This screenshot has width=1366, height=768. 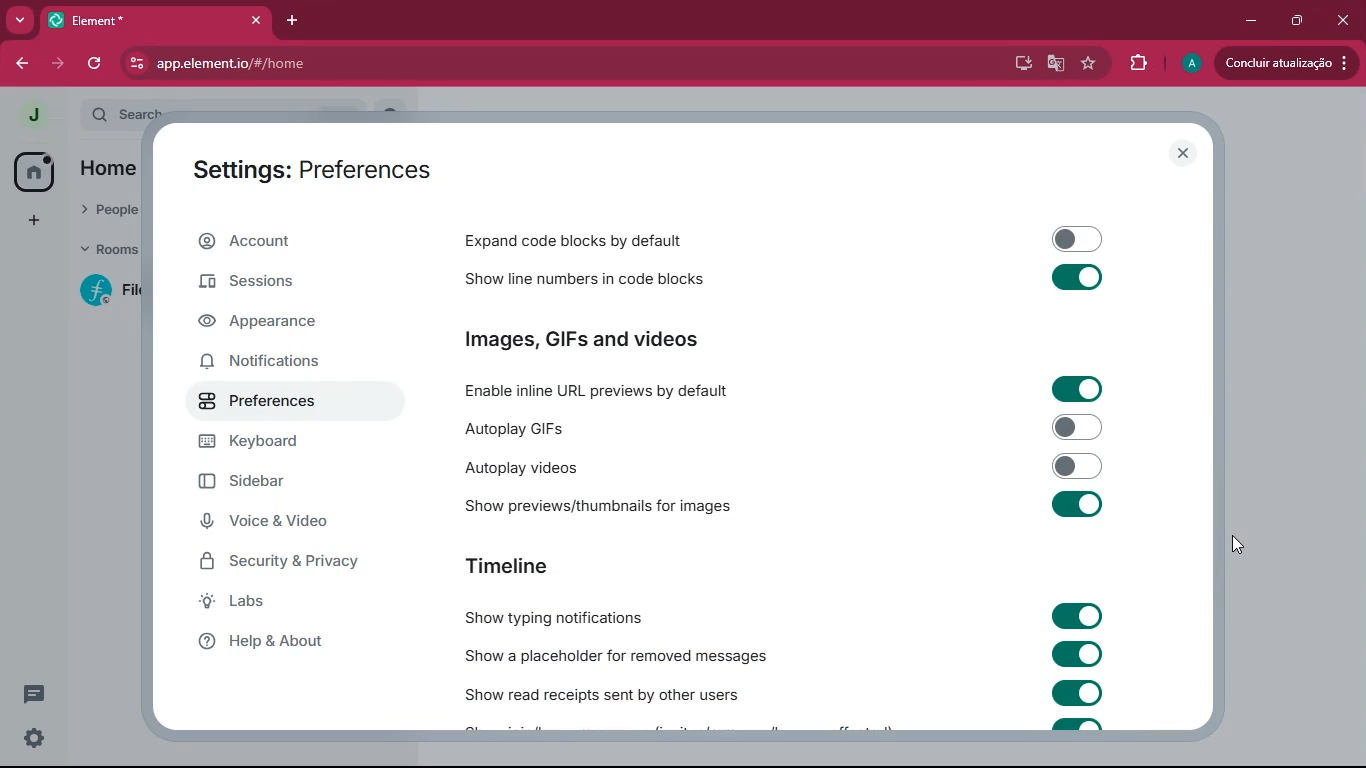 I want to click on show read receipts sent by other users, so click(x=603, y=691).